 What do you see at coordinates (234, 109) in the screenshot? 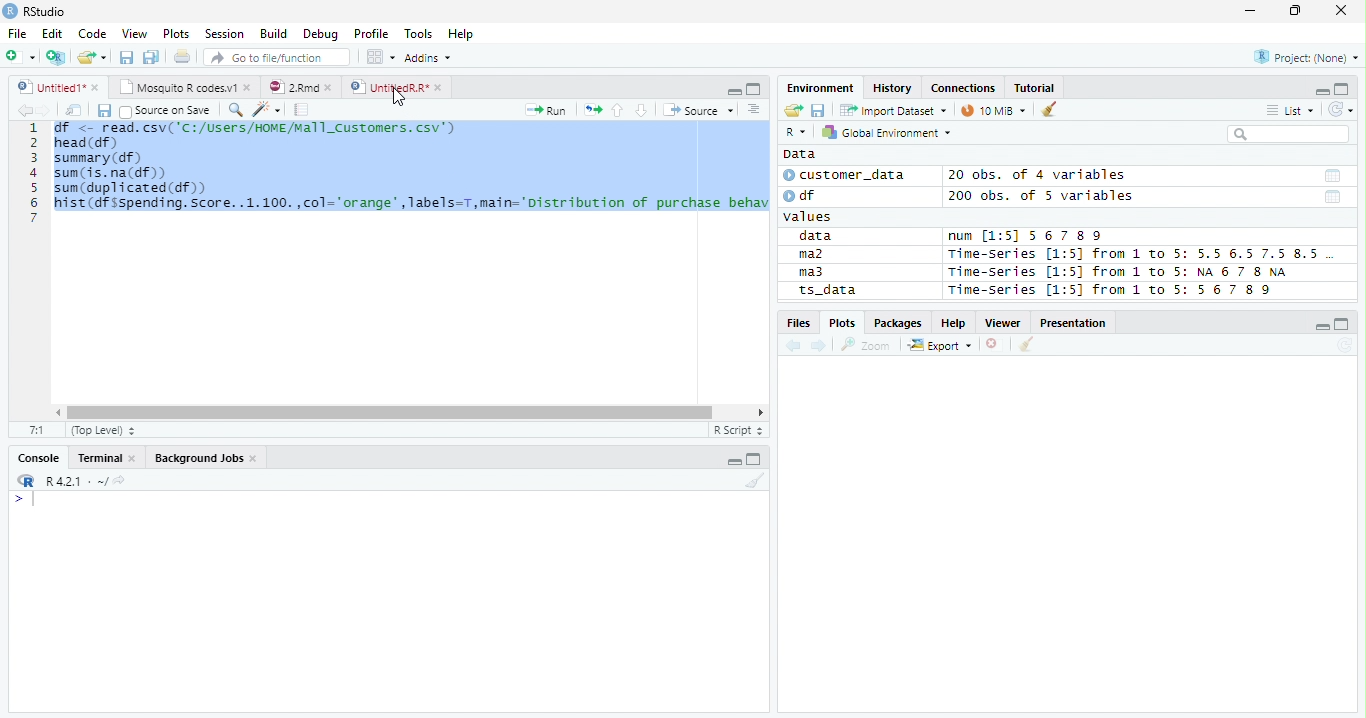
I see `Find/Replace` at bounding box center [234, 109].